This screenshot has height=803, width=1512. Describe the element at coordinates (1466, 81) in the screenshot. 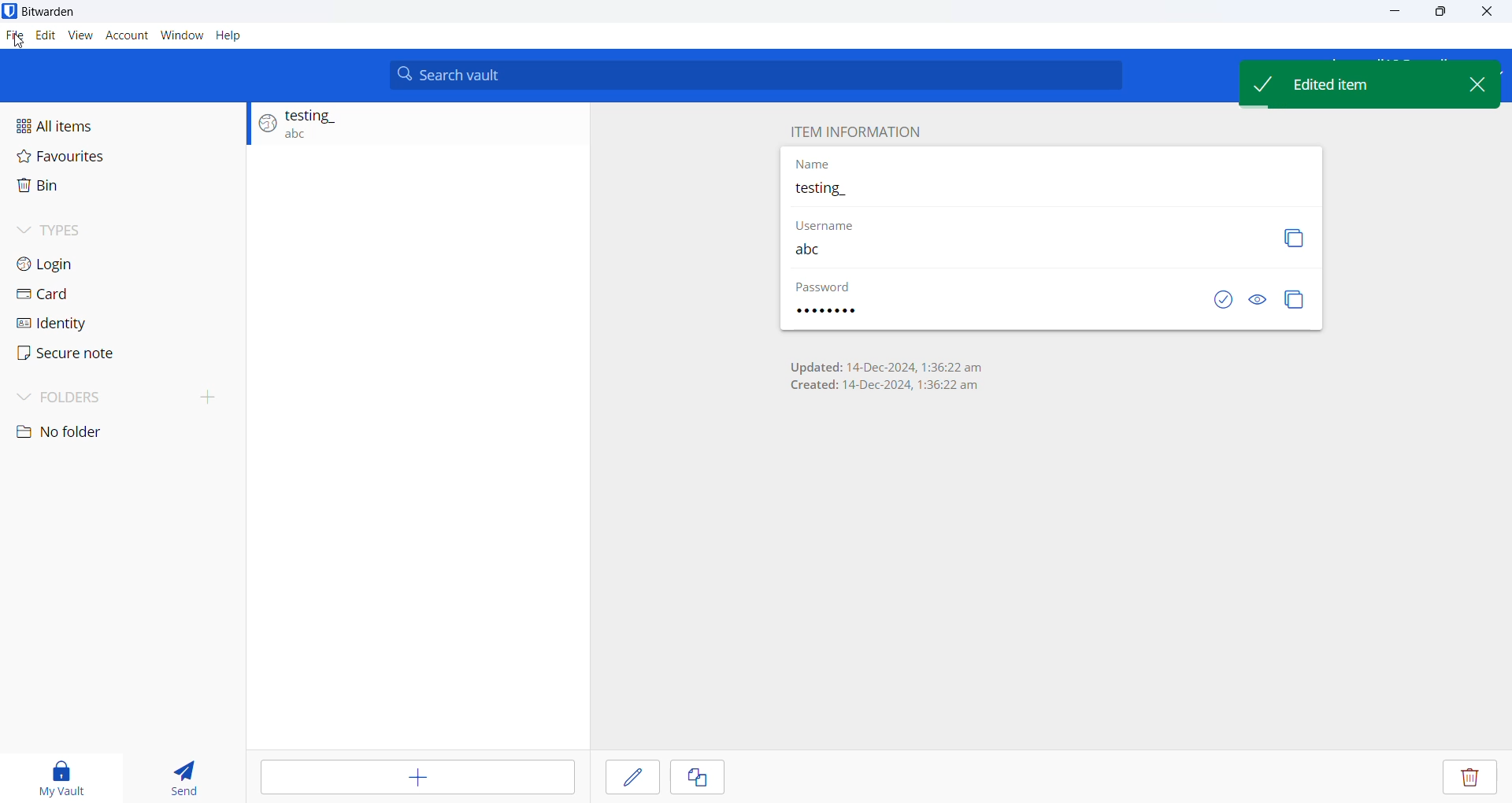

I see `Close popup` at that location.